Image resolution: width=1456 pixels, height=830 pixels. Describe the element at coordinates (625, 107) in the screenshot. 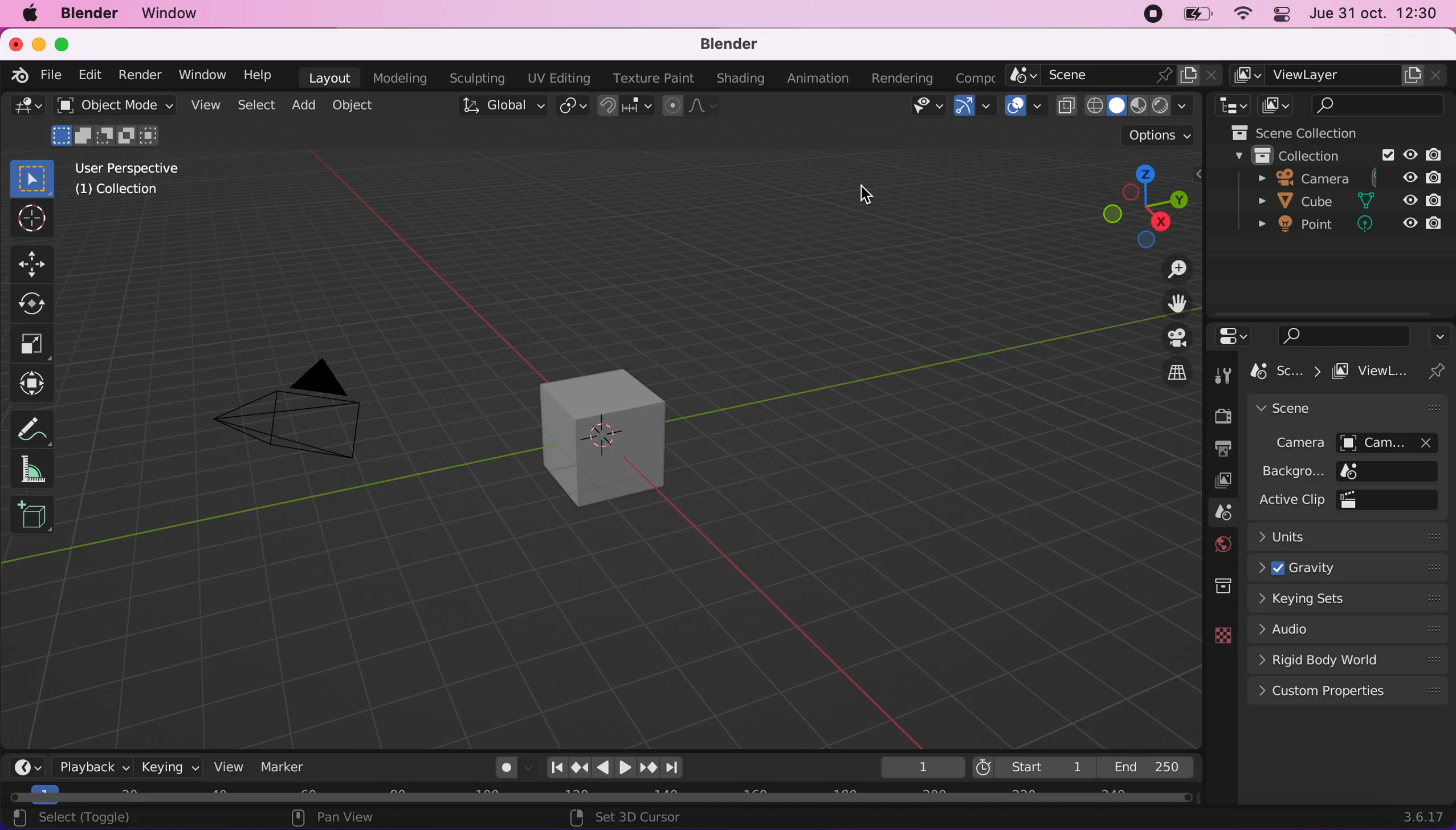

I see `snapping` at that location.